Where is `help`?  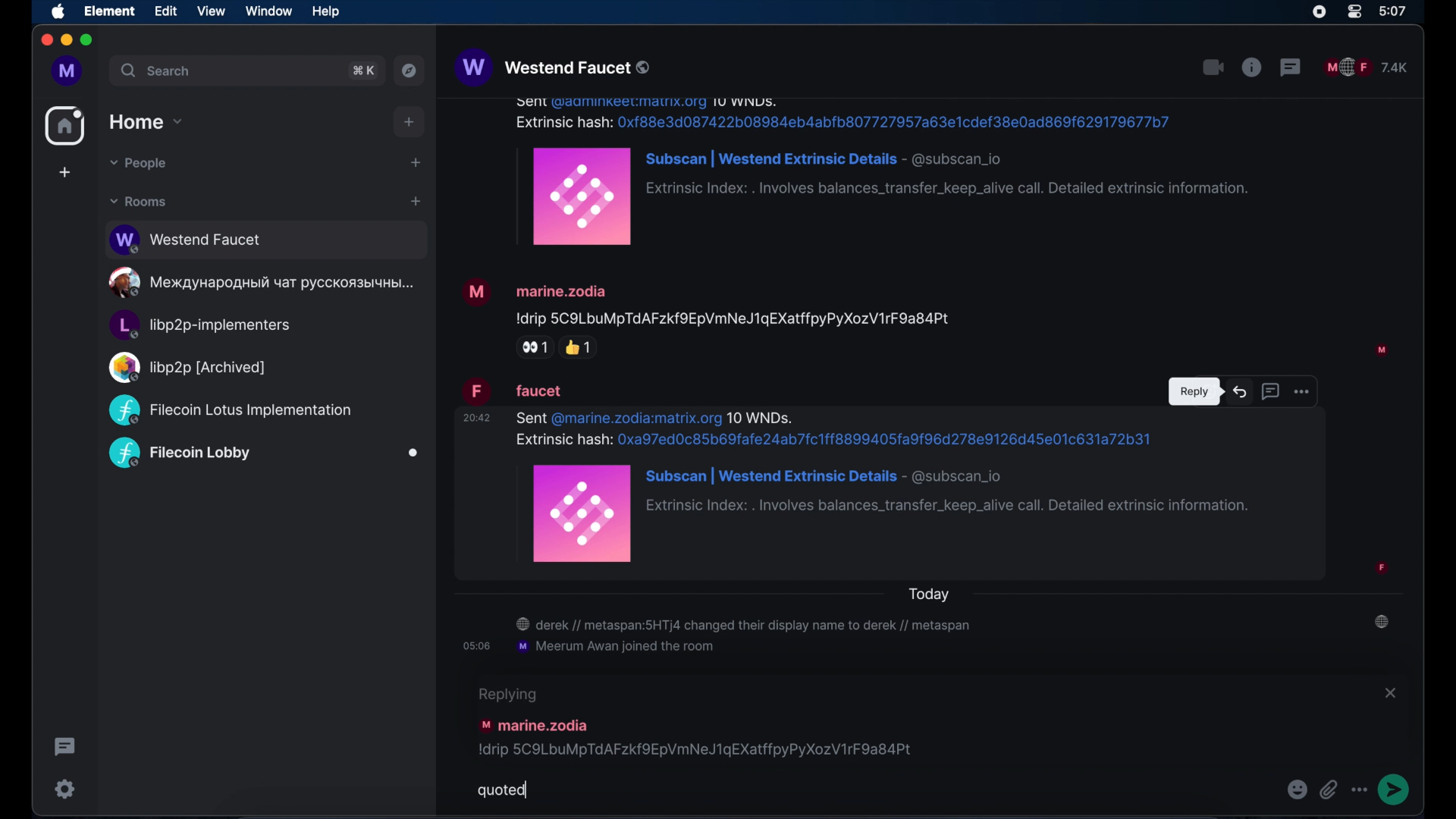
help is located at coordinates (325, 11).